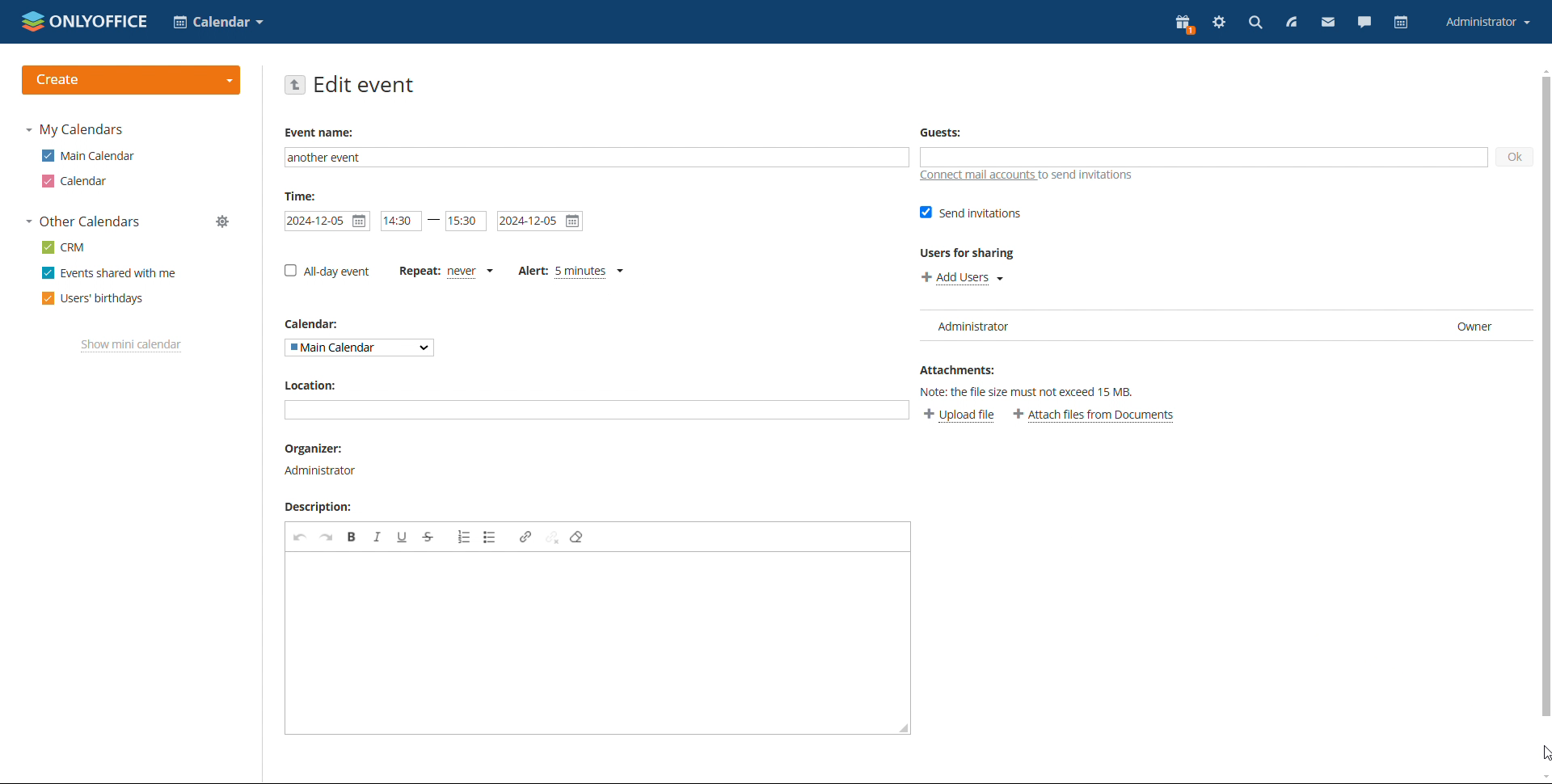  What do you see at coordinates (62, 247) in the screenshot?
I see `crm` at bounding box center [62, 247].